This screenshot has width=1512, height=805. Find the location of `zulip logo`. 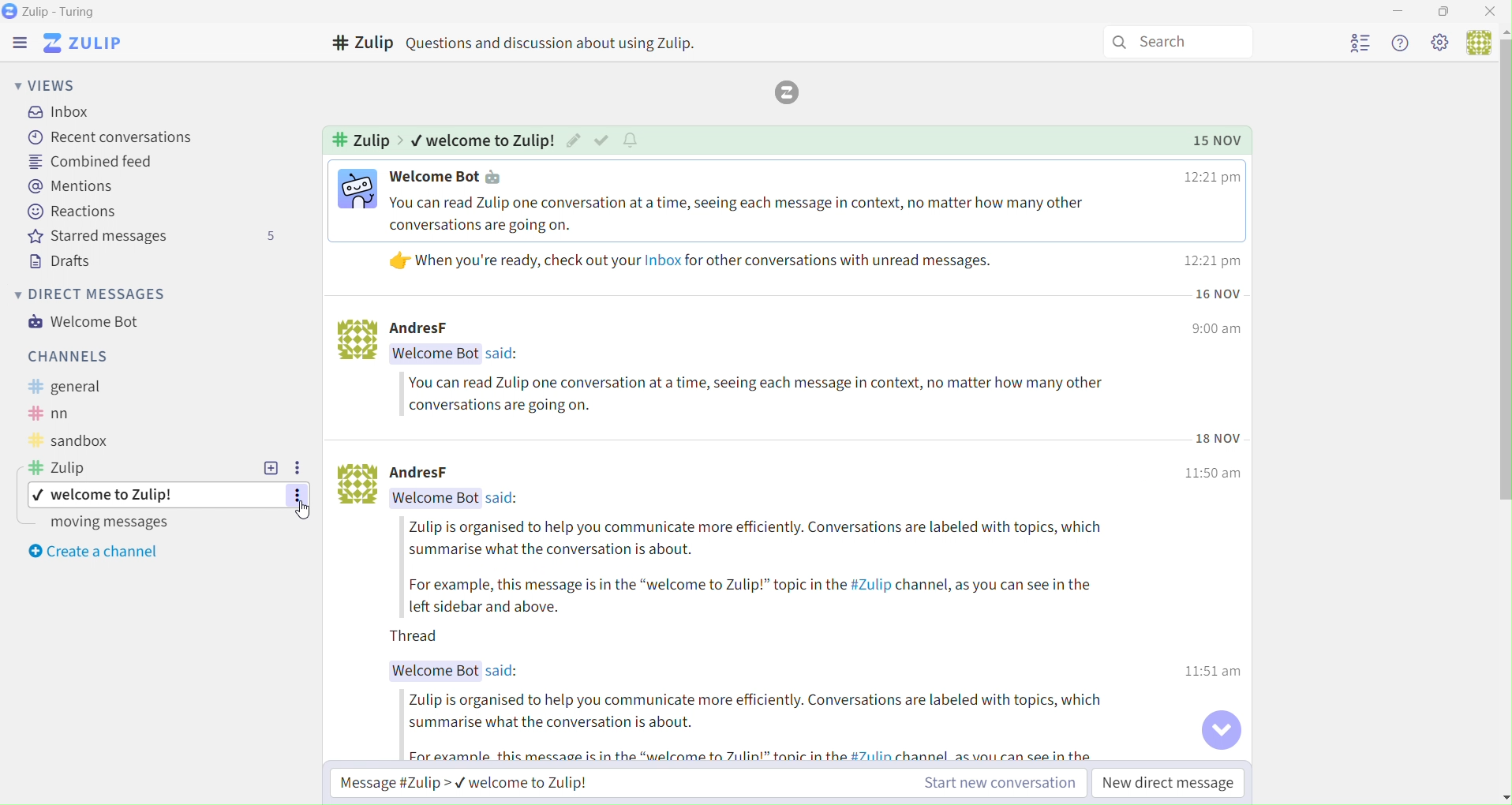

zulip logo is located at coordinates (787, 92).